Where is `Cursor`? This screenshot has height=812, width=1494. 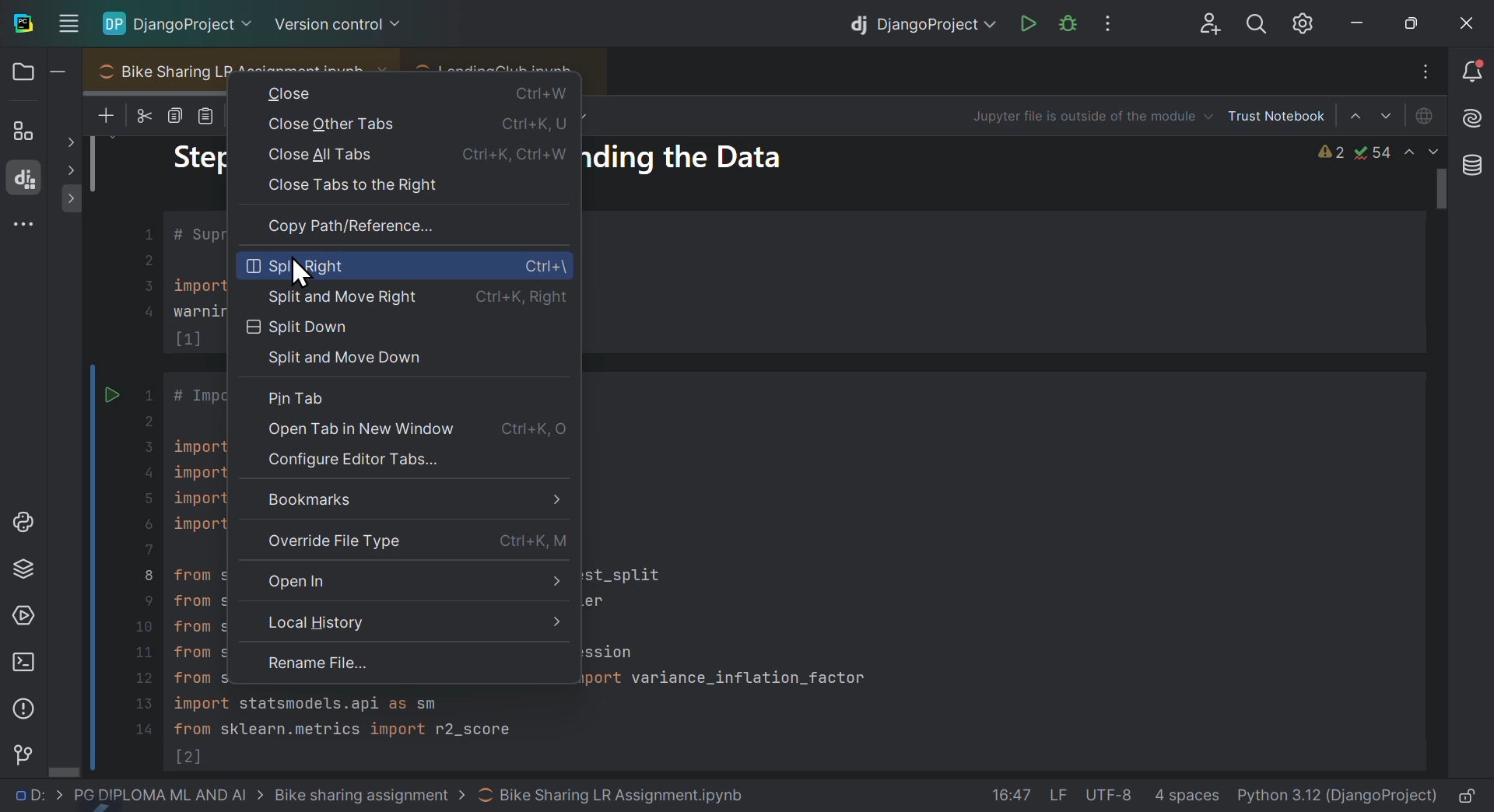
Cursor is located at coordinates (305, 274).